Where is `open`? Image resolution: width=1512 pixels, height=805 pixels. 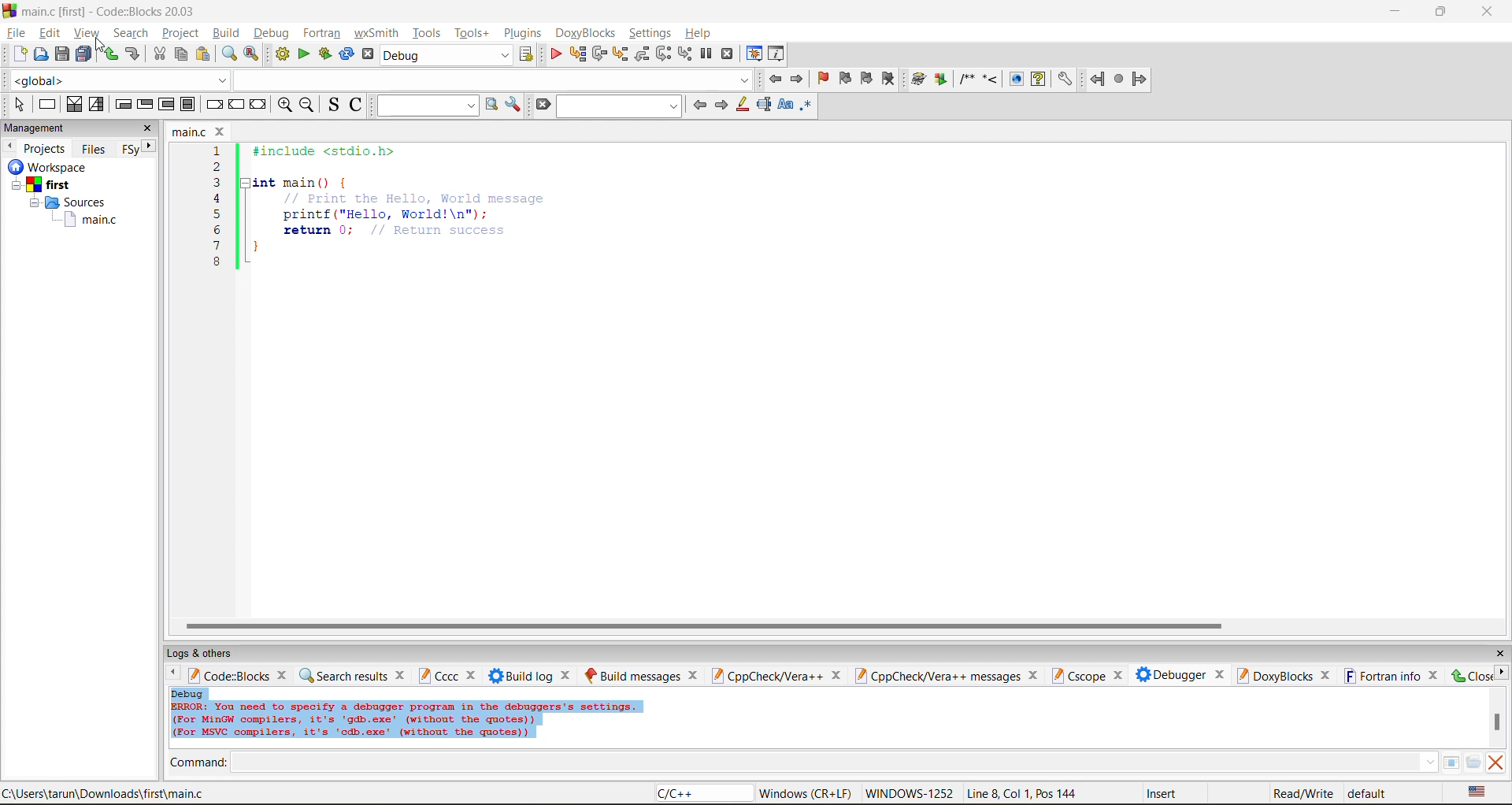
open is located at coordinates (38, 56).